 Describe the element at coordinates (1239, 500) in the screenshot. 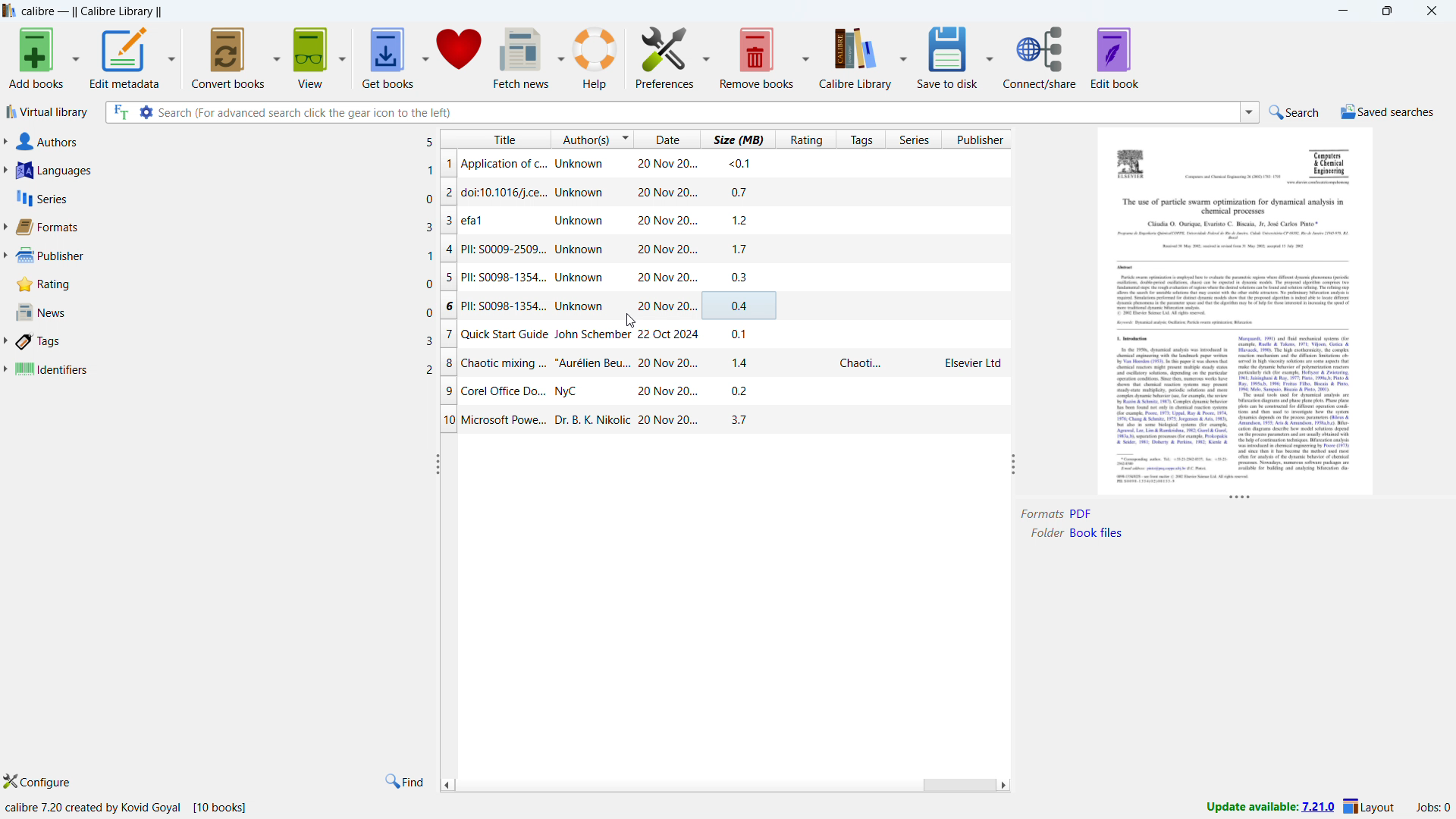

I see `resize` at that location.